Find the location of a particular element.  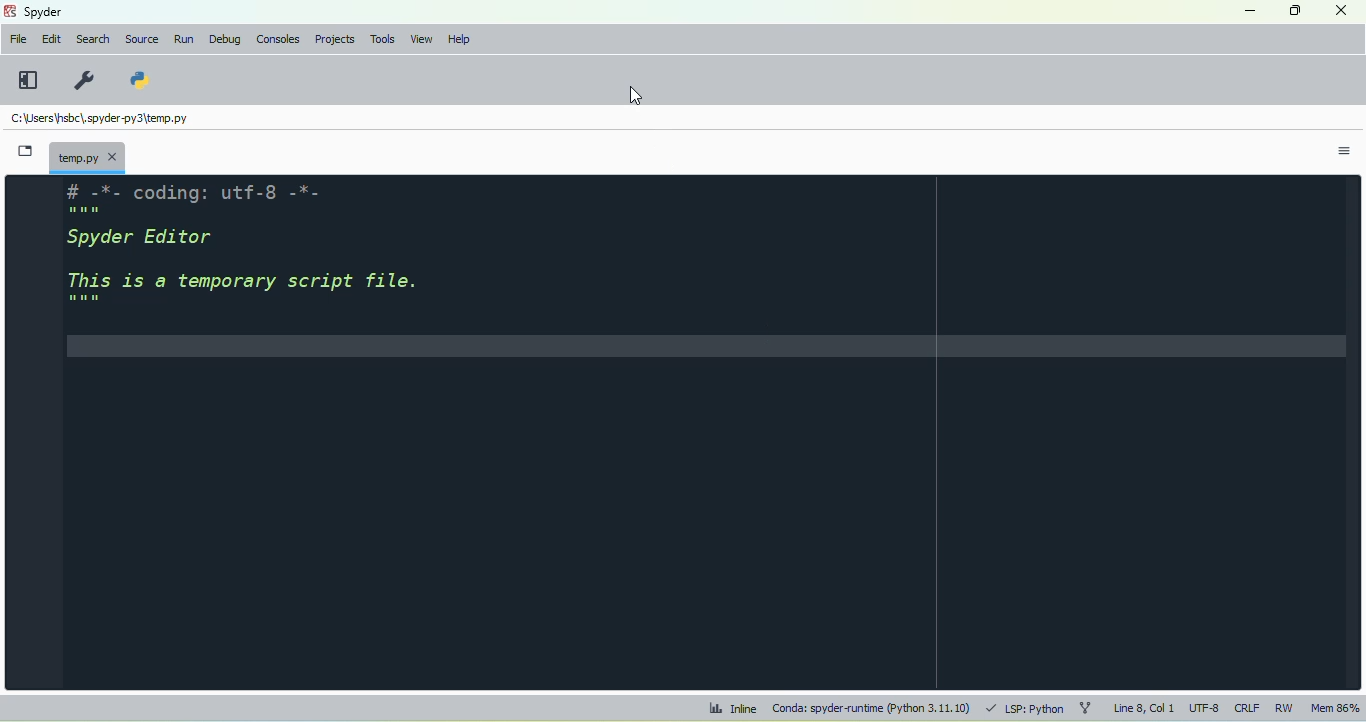

source is located at coordinates (143, 40).